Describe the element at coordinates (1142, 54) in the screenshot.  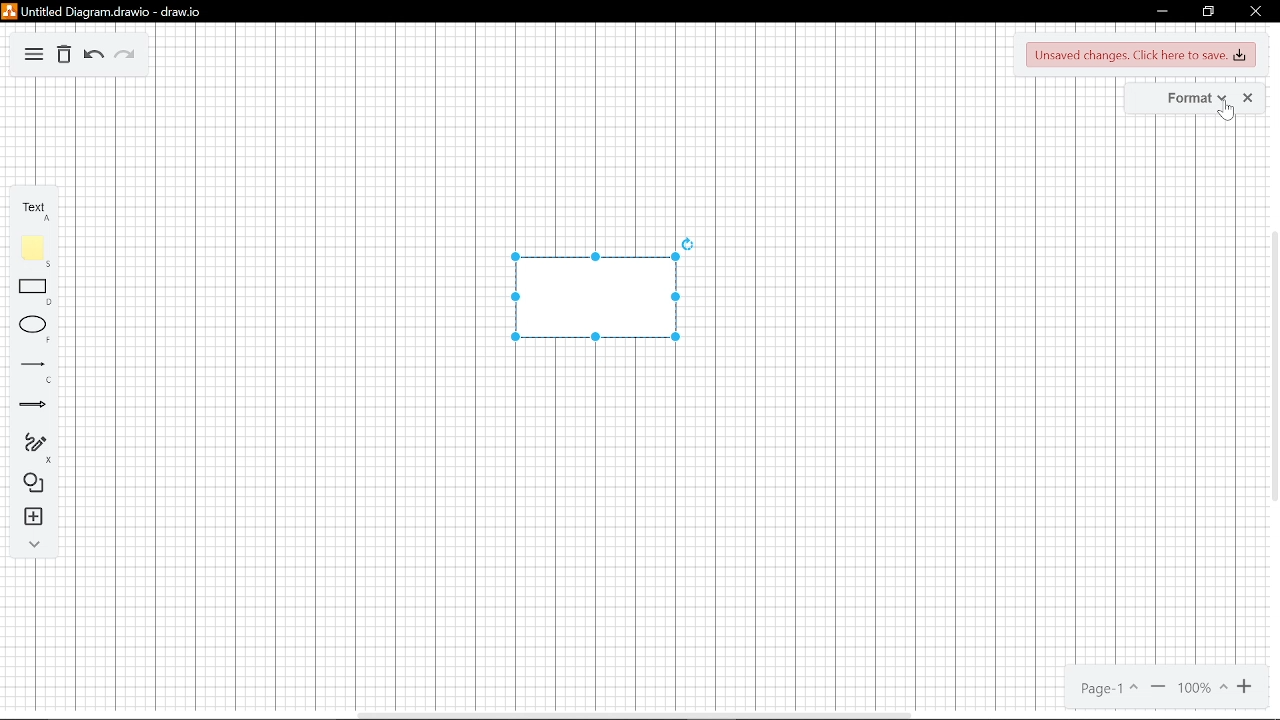
I see `Unsaved changes` at that location.